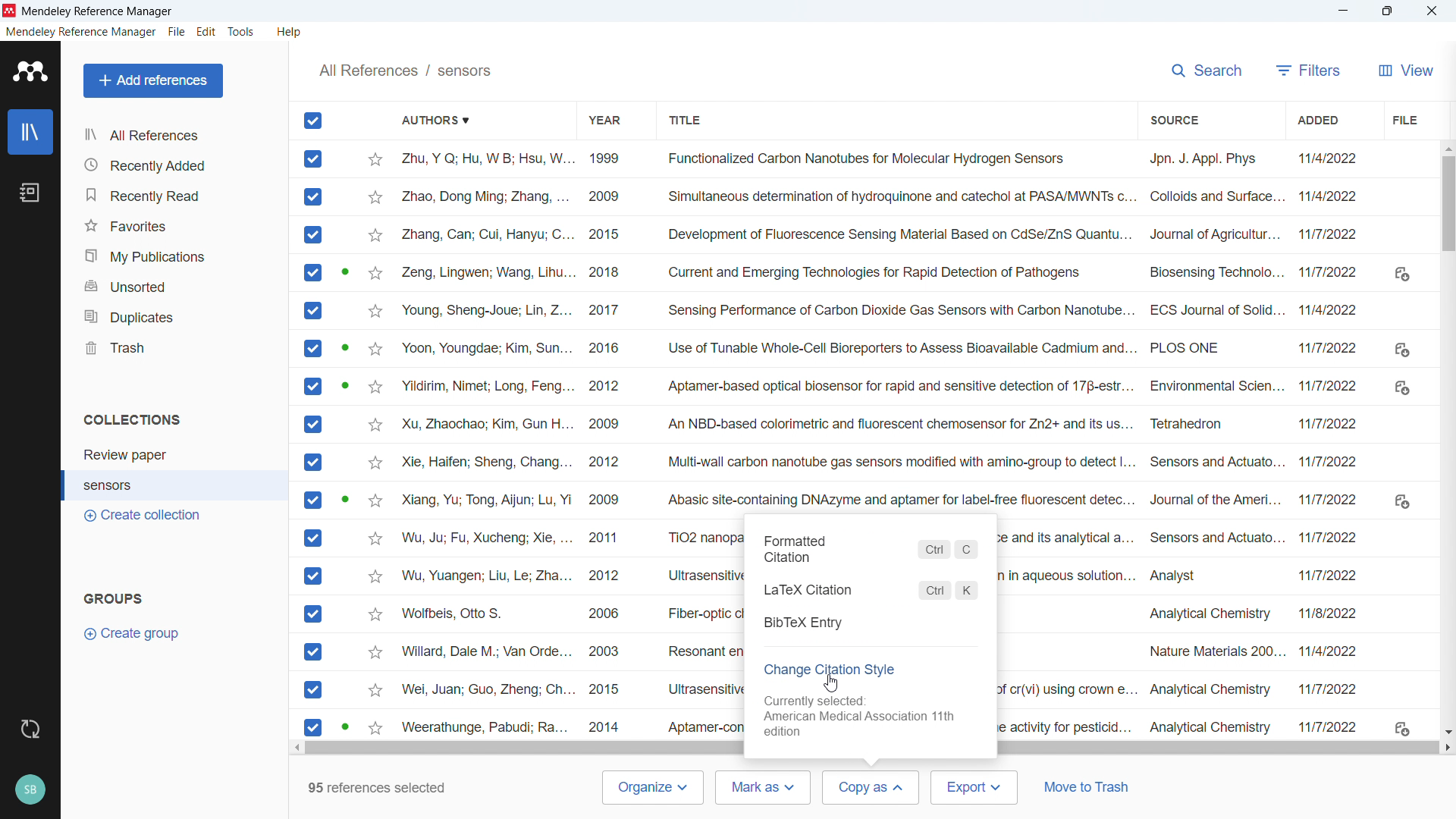 The width and height of the screenshot is (1456, 819). Describe the element at coordinates (407, 73) in the screenshot. I see `All references/sensors` at that location.